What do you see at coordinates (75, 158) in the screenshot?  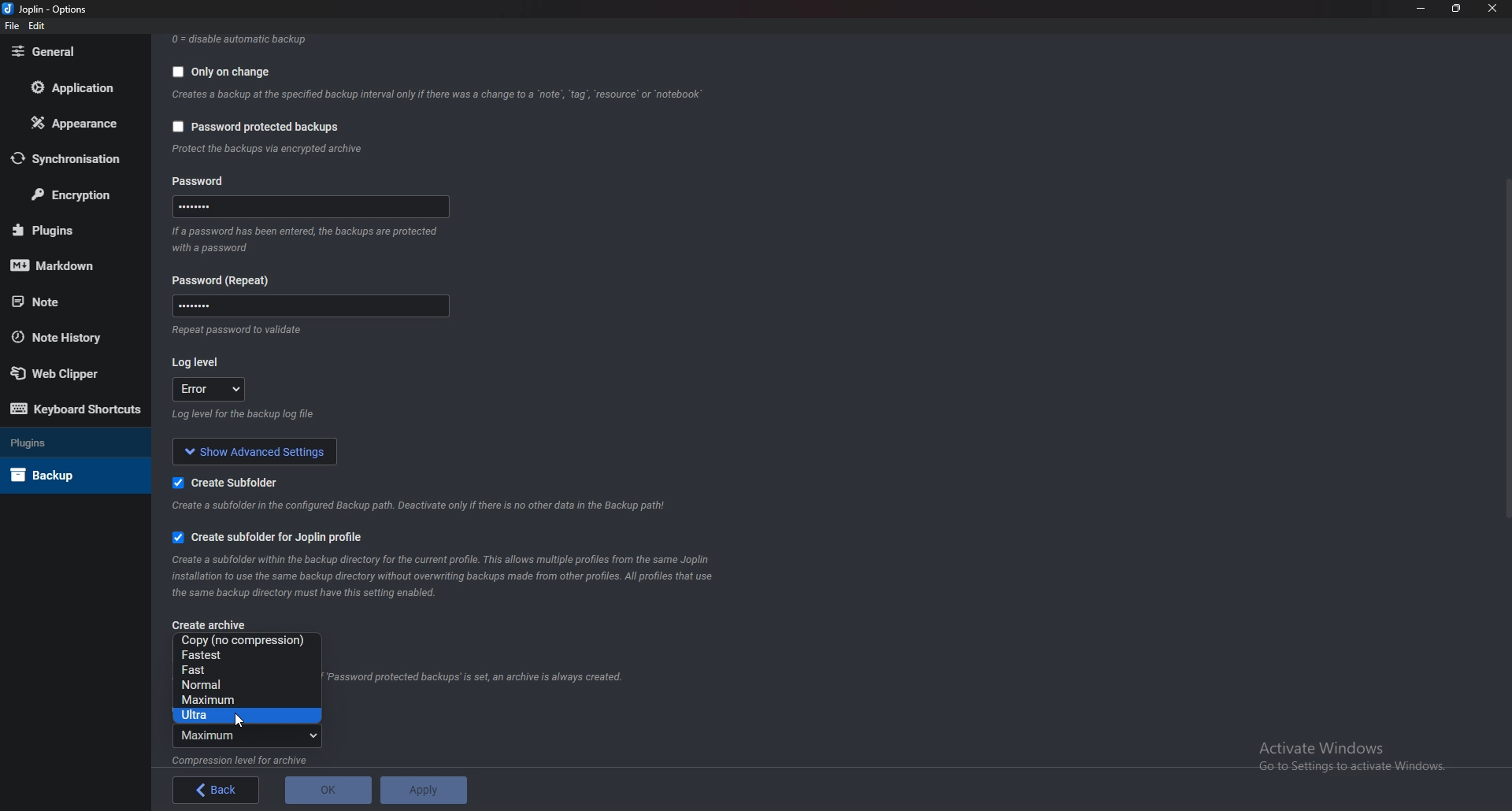 I see `Synchronization` at bounding box center [75, 158].